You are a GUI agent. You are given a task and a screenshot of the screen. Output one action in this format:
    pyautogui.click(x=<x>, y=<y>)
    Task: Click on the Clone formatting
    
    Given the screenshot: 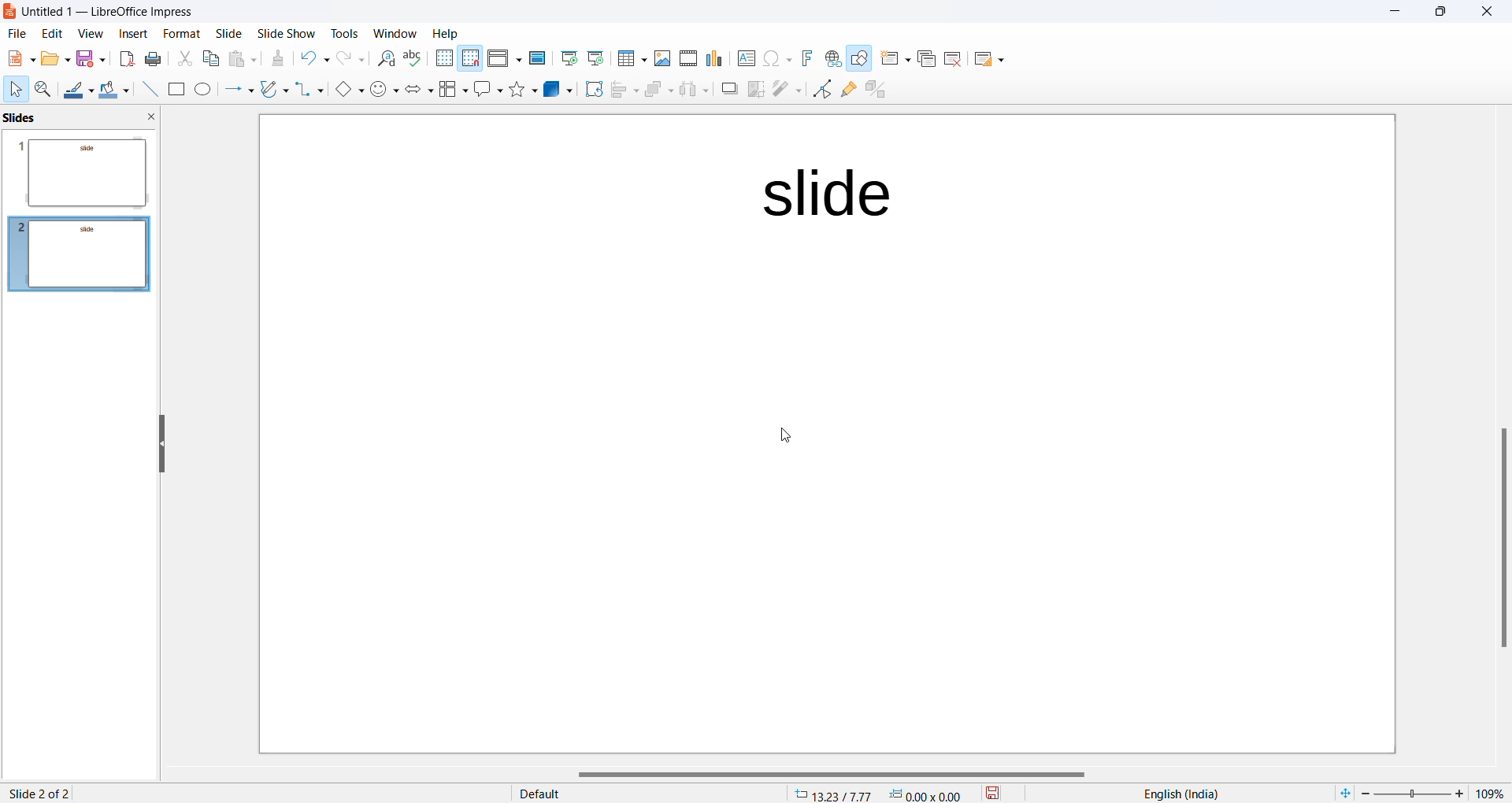 What is the action you would take?
    pyautogui.click(x=282, y=60)
    